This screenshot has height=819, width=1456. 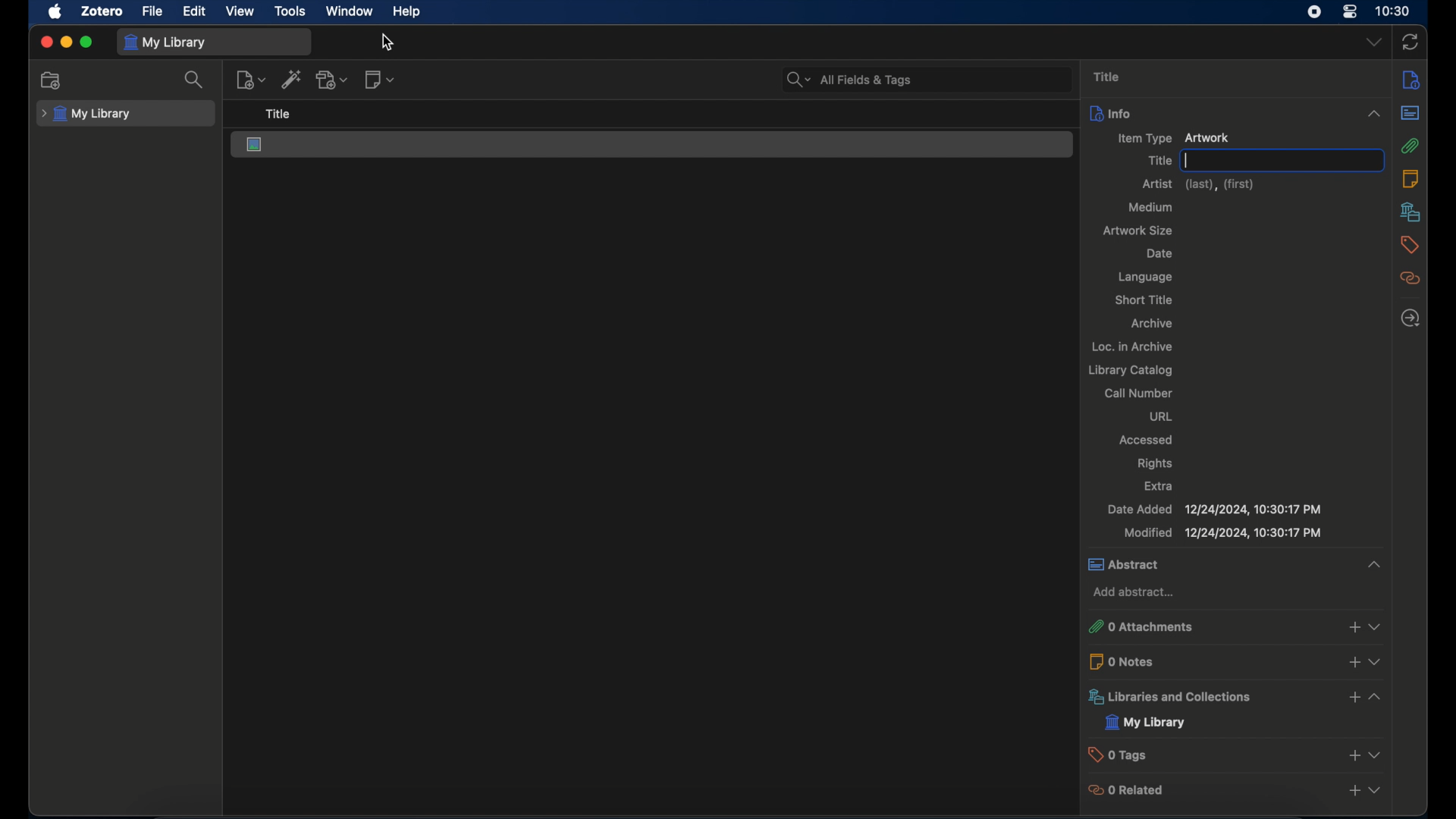 What do you see at coordinates (1381, 792) in the screenshot?
I see `expand section` at bounding box center [1381, 792].